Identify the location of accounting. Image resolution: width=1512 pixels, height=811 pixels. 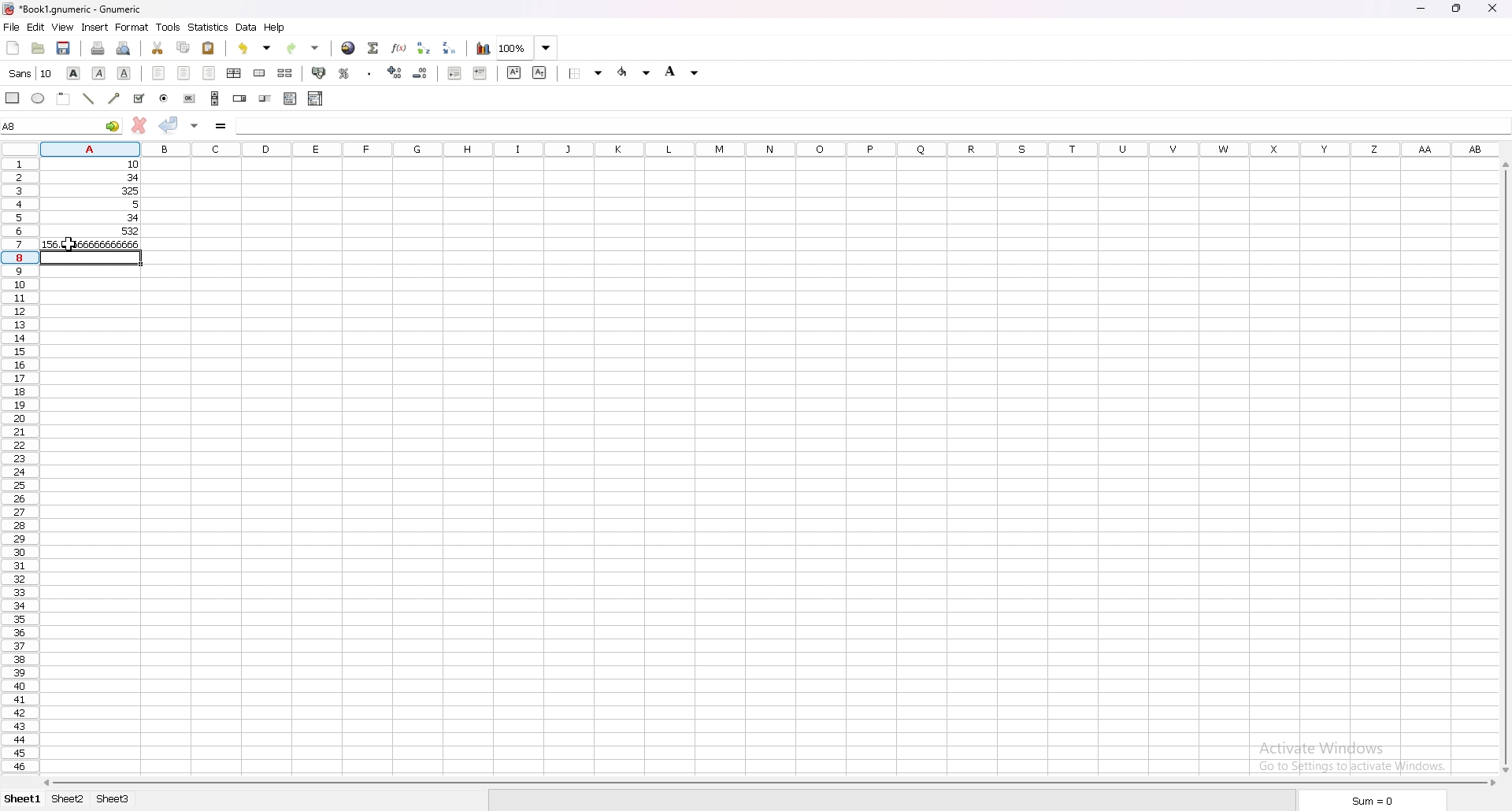
(320, 74).